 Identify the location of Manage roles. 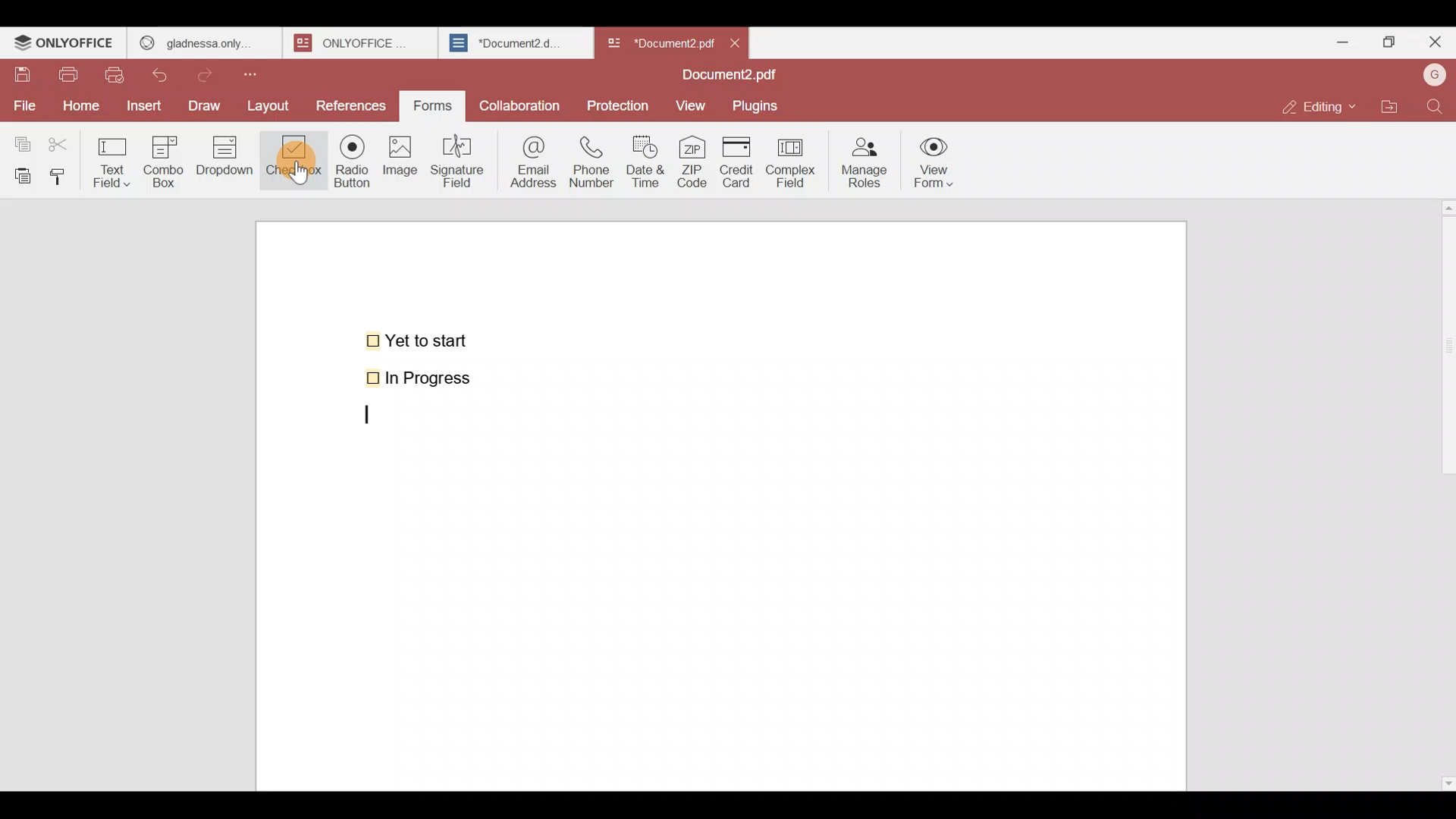
(864, 158).